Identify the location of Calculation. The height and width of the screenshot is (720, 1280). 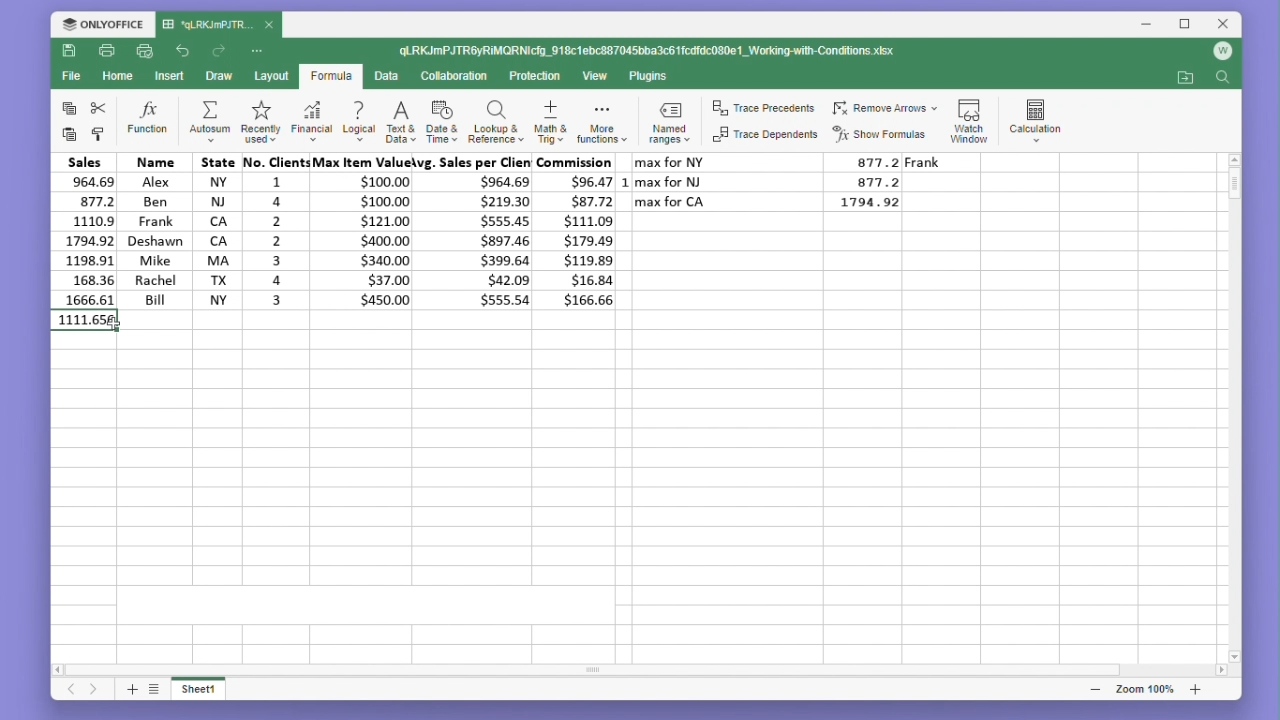
(1036, 117).